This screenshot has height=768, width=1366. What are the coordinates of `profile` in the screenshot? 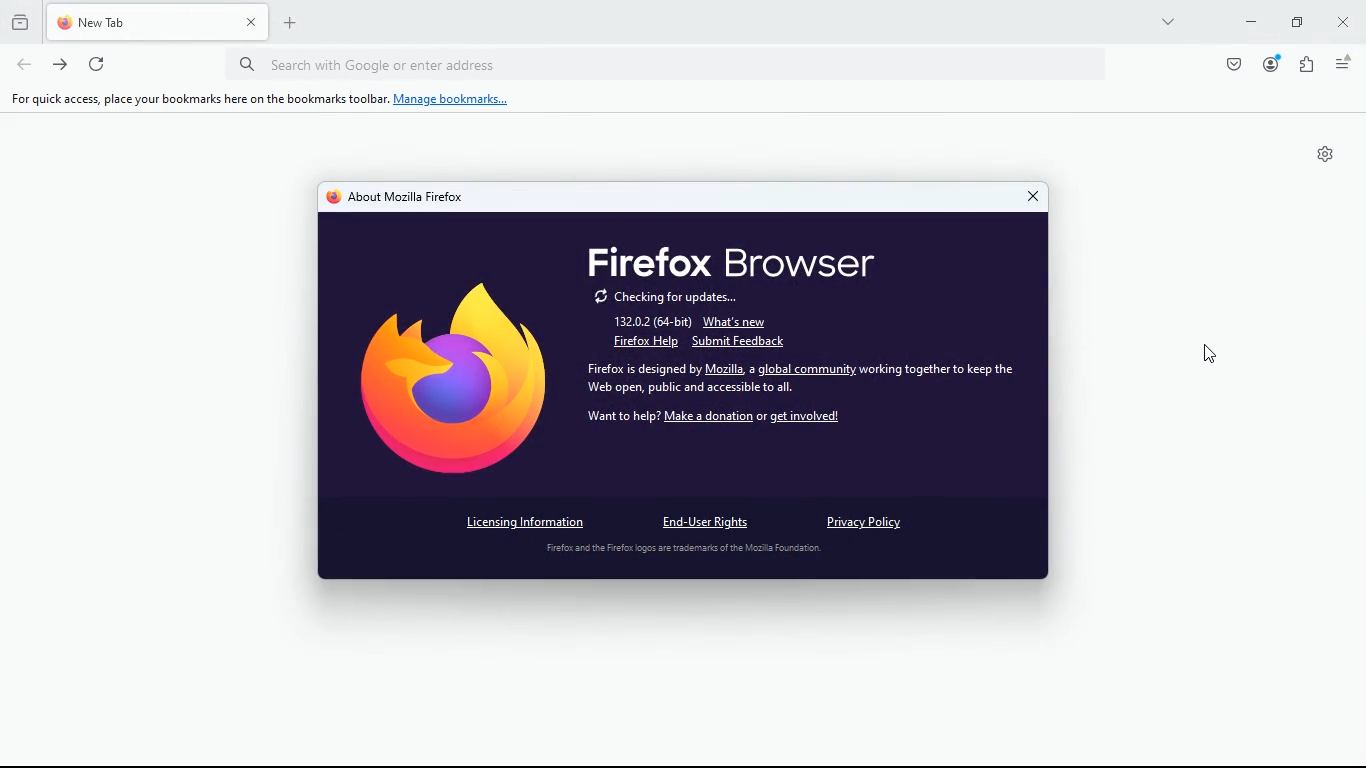 It's located at (1270, 65).